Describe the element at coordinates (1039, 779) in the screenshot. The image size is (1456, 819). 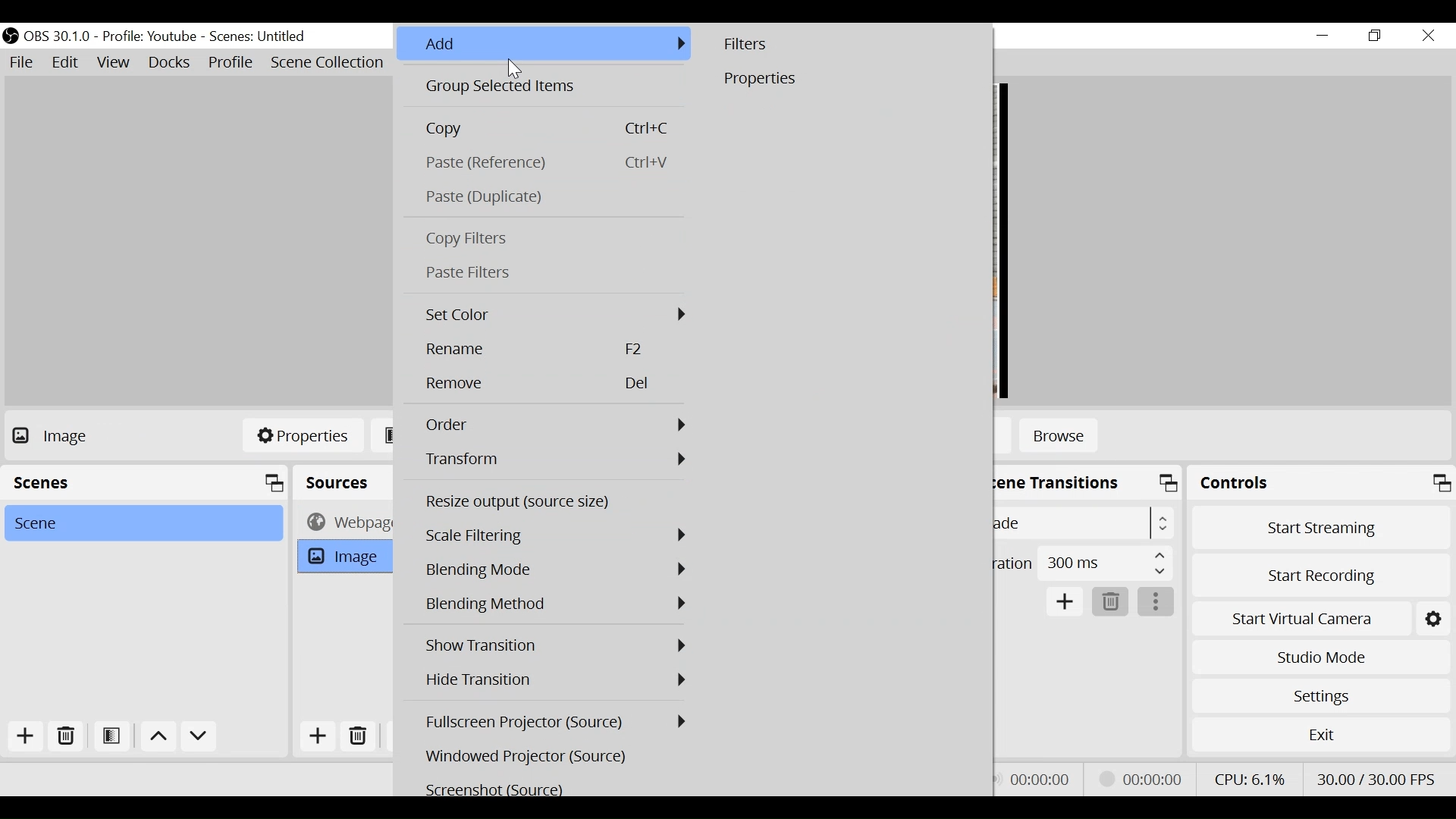
I see `Live Status` at that location.